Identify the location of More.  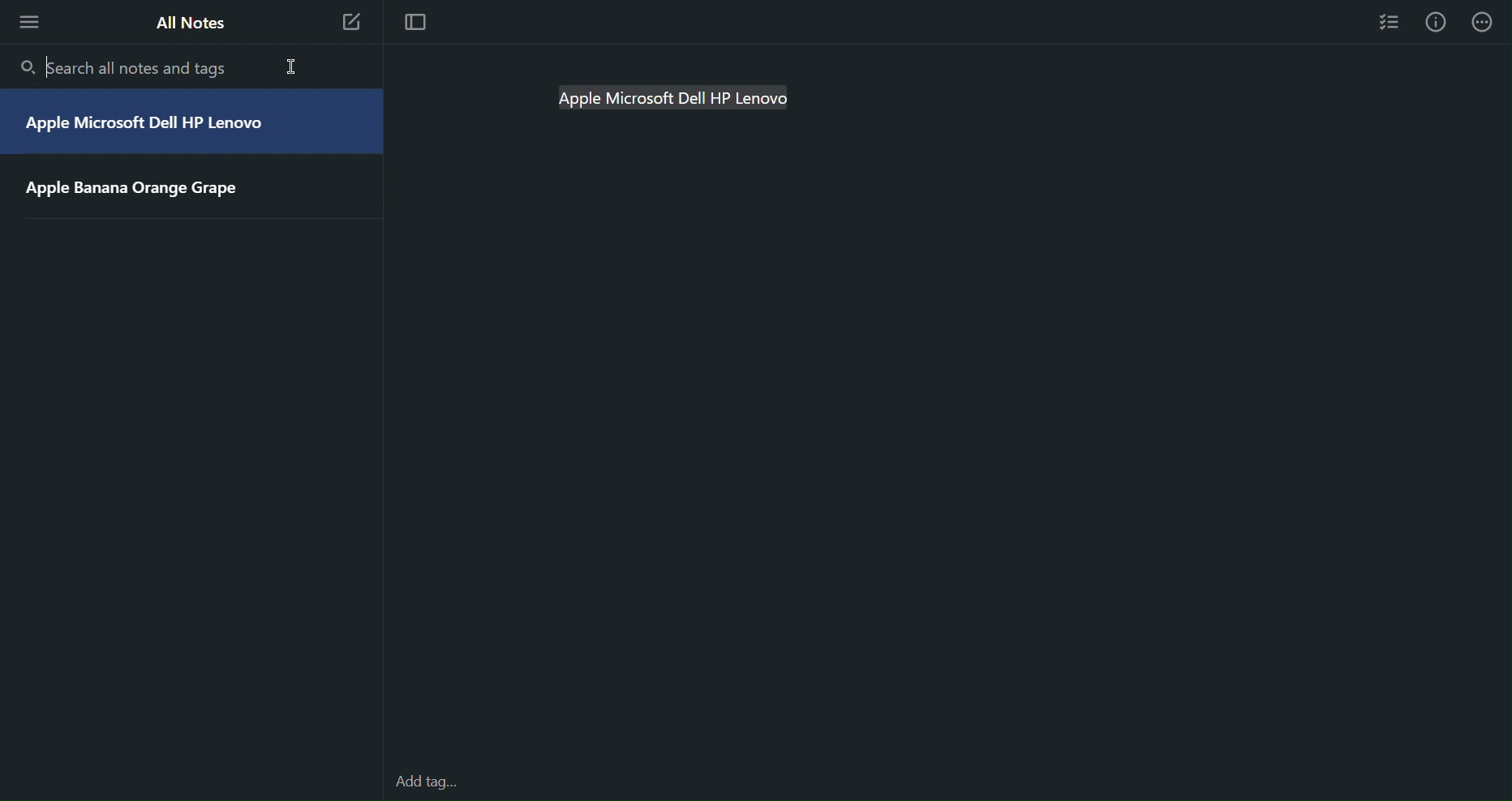
(28, 24).